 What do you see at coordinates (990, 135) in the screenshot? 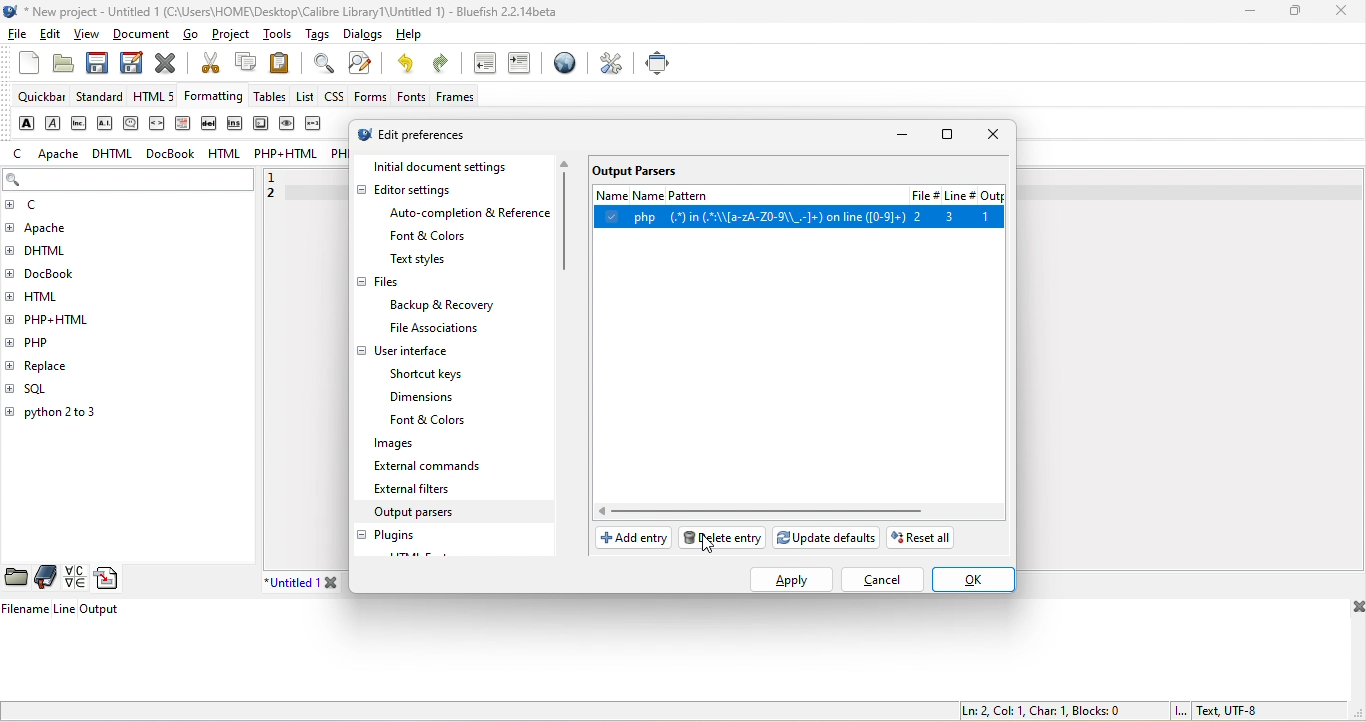
I see `close` at bounding box center [990, 135].